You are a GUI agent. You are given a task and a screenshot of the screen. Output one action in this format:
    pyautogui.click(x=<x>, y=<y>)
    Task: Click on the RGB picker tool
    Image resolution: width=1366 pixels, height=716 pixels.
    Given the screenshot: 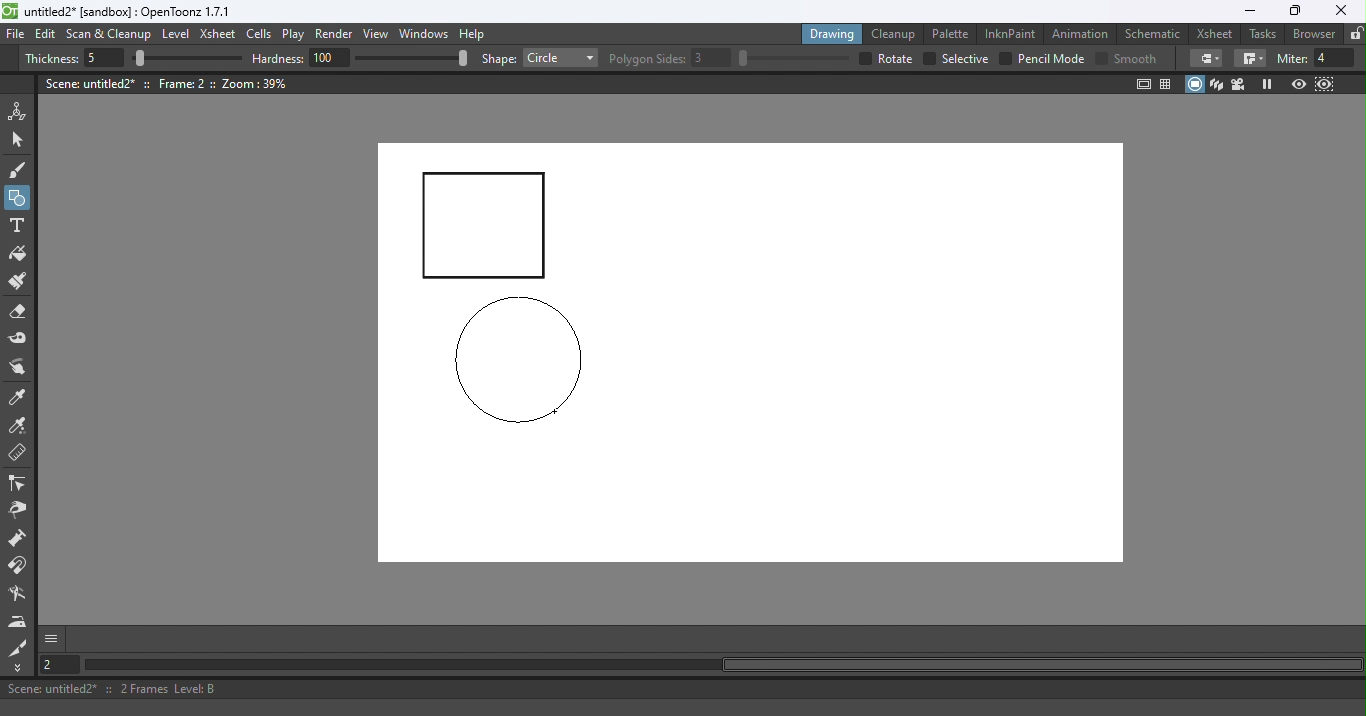 What is the action you would take?
    pyautogui.click(x=21, y=427)
    